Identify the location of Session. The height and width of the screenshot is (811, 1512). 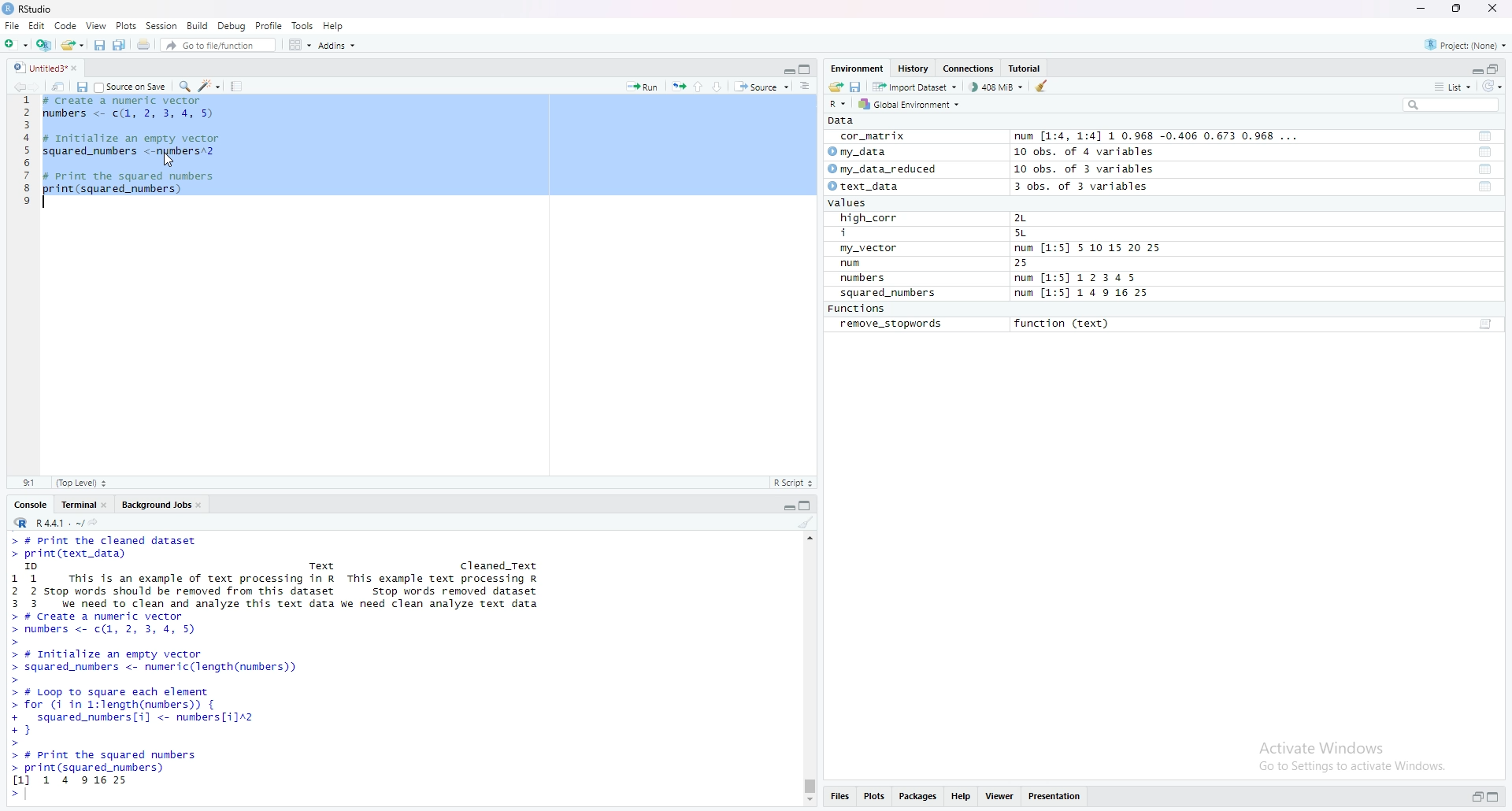
(161, 25).